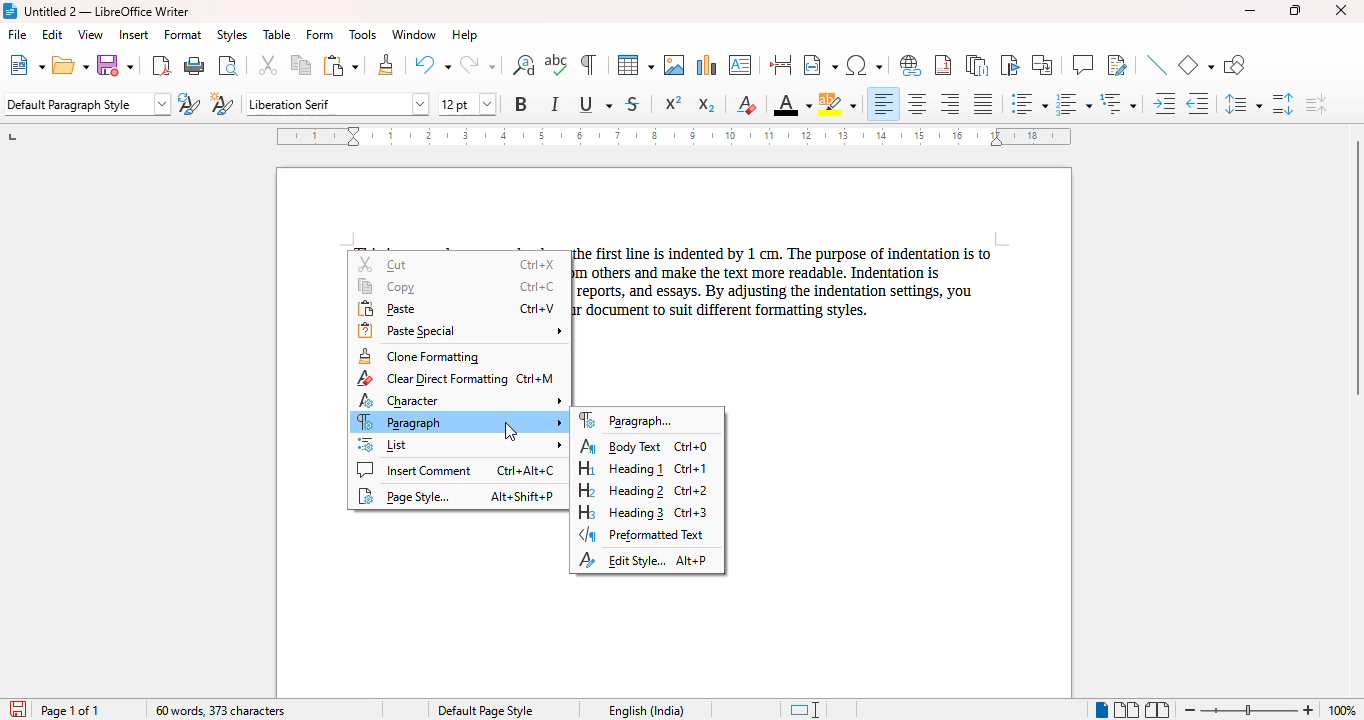 The height and width of the screenshot is (720, 1364). What do you see at coordinates (320, 35) in the screenshot?
I see `form` at bounding box center [320, 35].